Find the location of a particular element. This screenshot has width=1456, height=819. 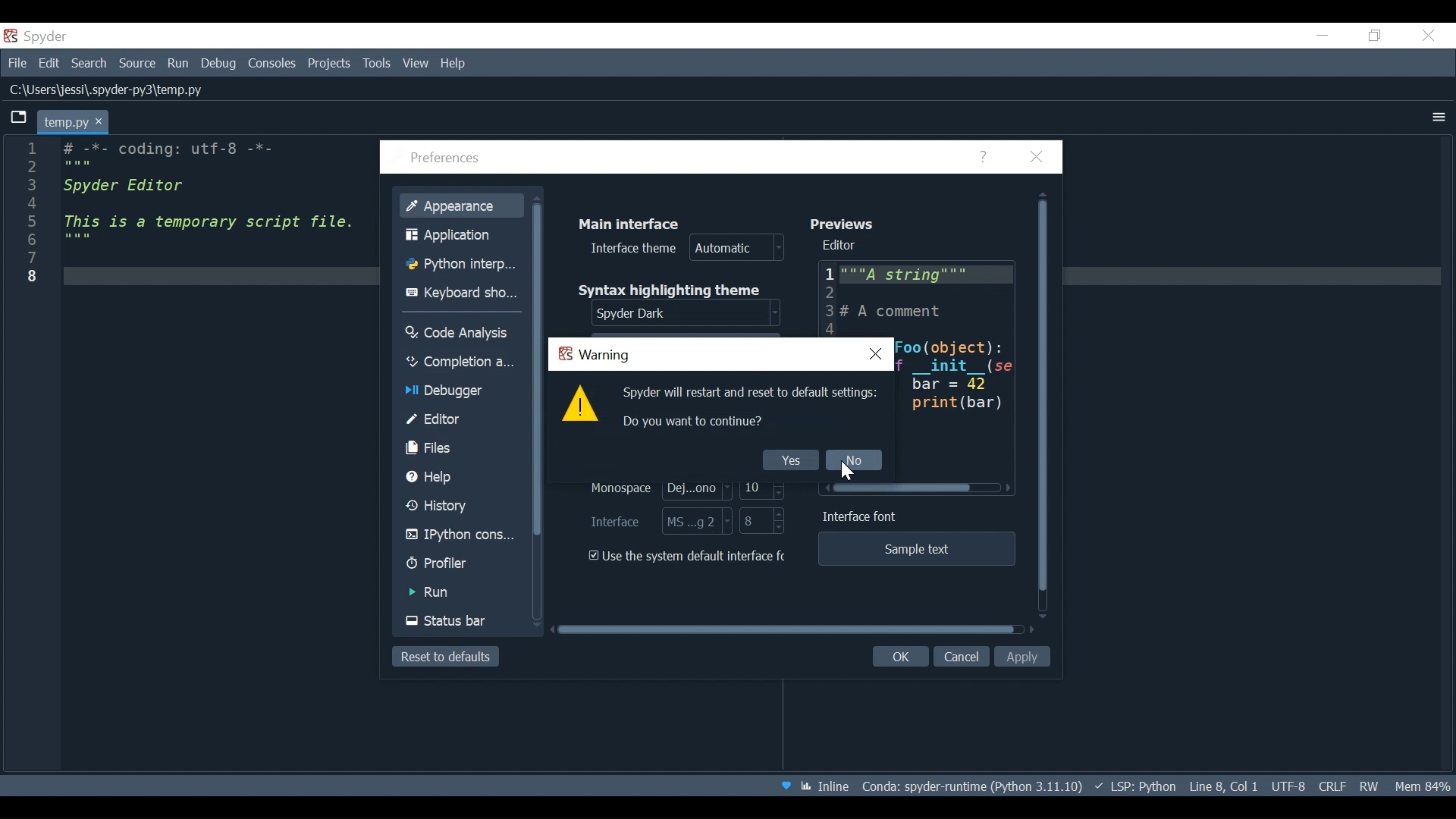

Previews is located at coordinates (847, 223).